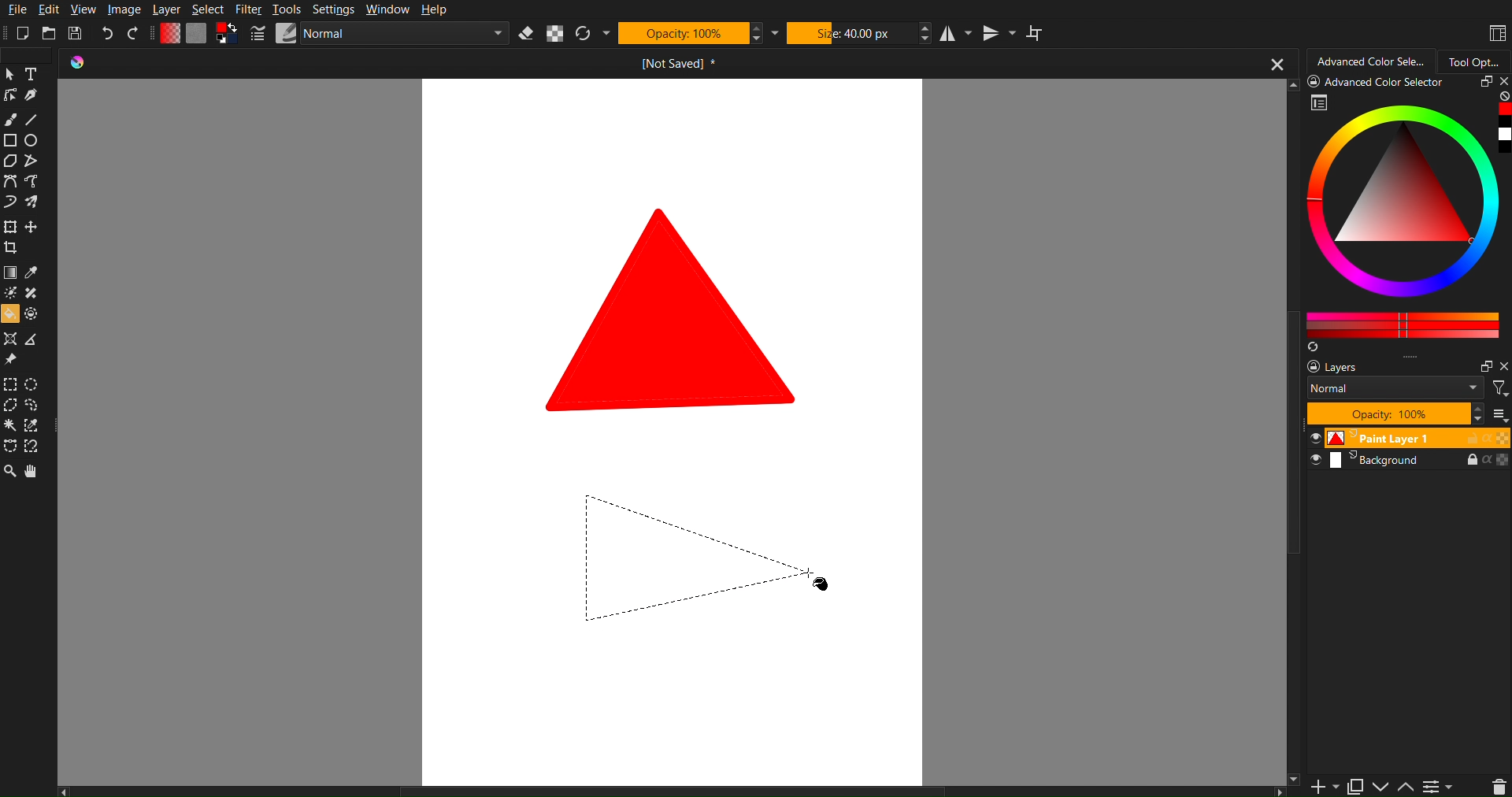 Image resolution: width=1512 pixels, height=797 pixels. Describe the element at coordinates (9, 339) in the screenshot. I see `Shapper` at that location.